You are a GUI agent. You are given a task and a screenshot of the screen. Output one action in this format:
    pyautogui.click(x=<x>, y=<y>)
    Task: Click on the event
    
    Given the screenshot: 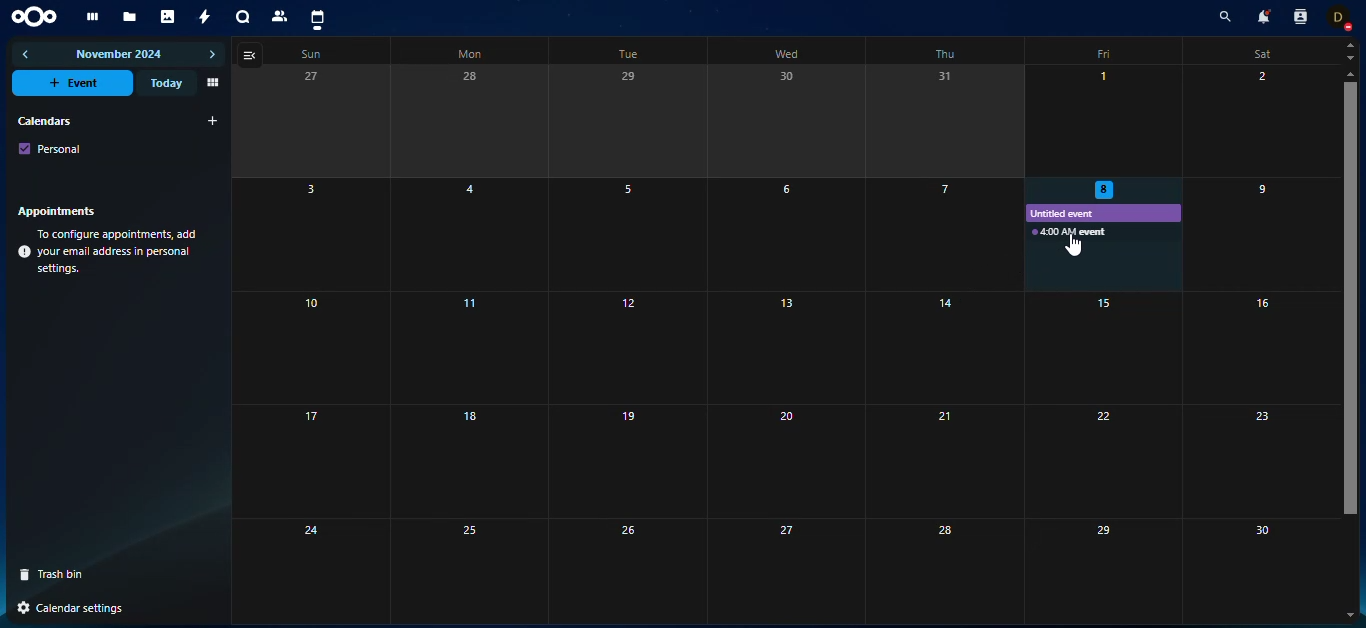 What is the action you would take?
    pyautogui.click(x=75, y=83)
    